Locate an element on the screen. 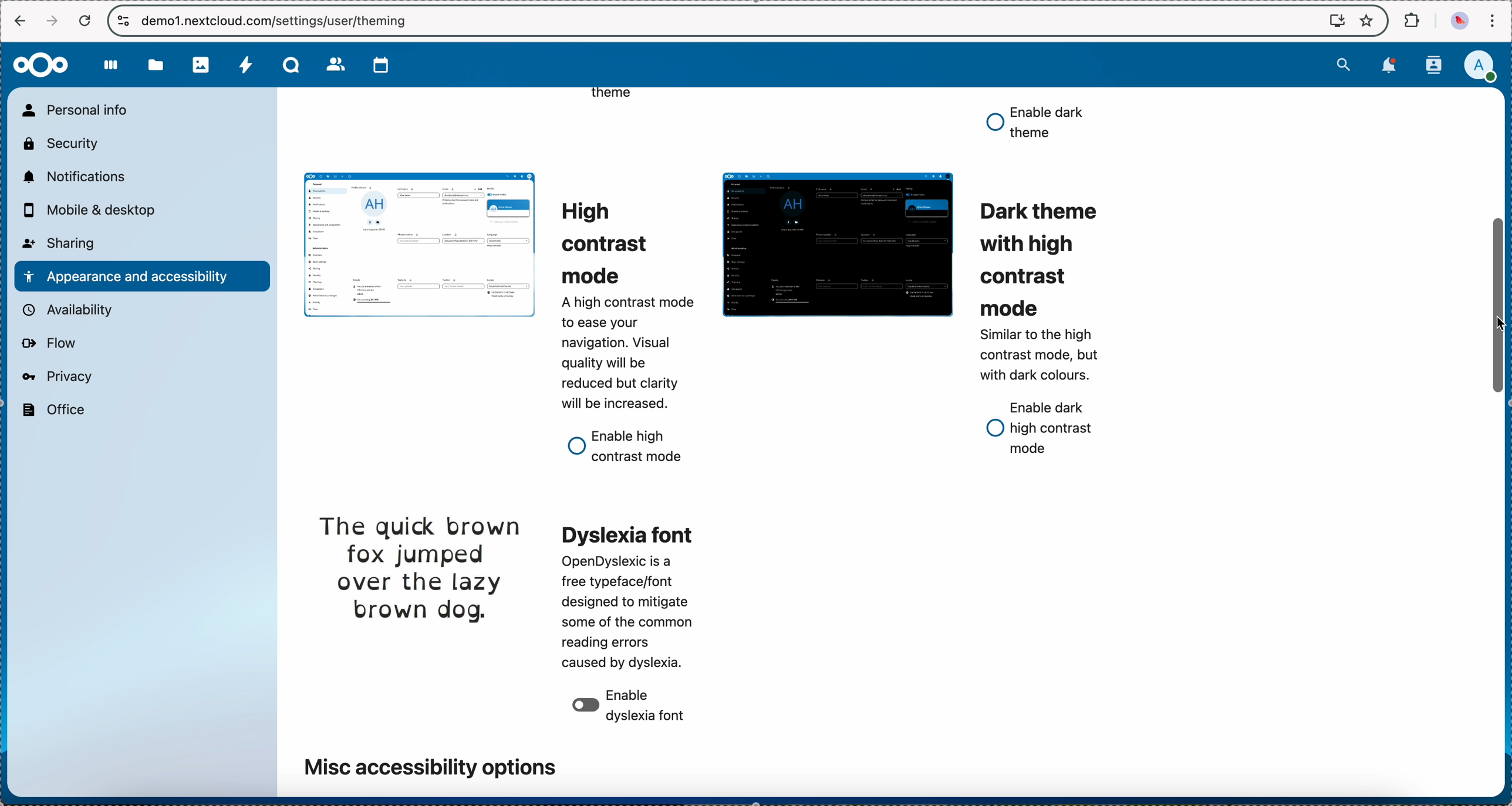  extensions is located at coordinates (1410, 21).